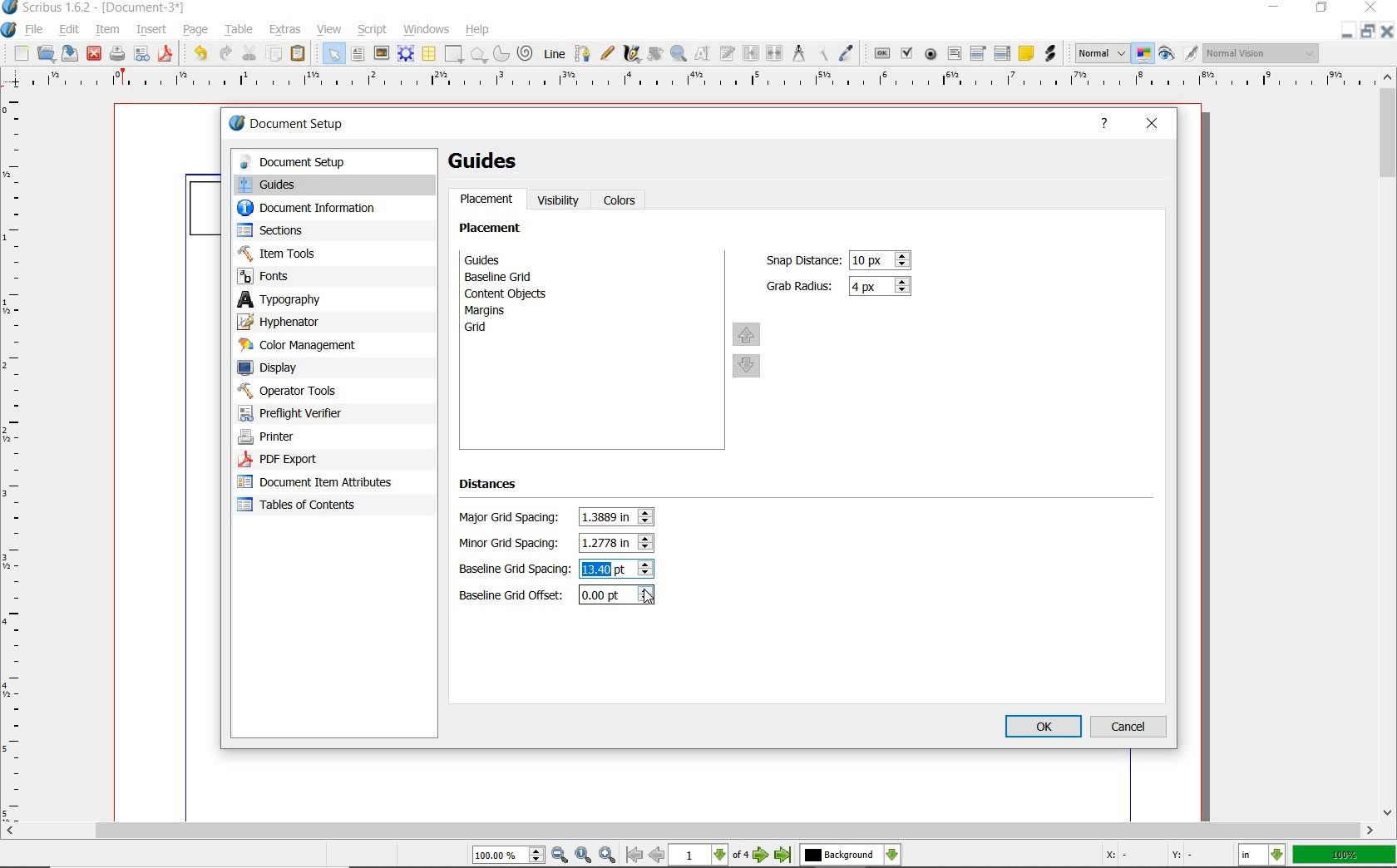 This screenshot has width=1397, height=868. I want to click on pdf-export, so click(315, 460).